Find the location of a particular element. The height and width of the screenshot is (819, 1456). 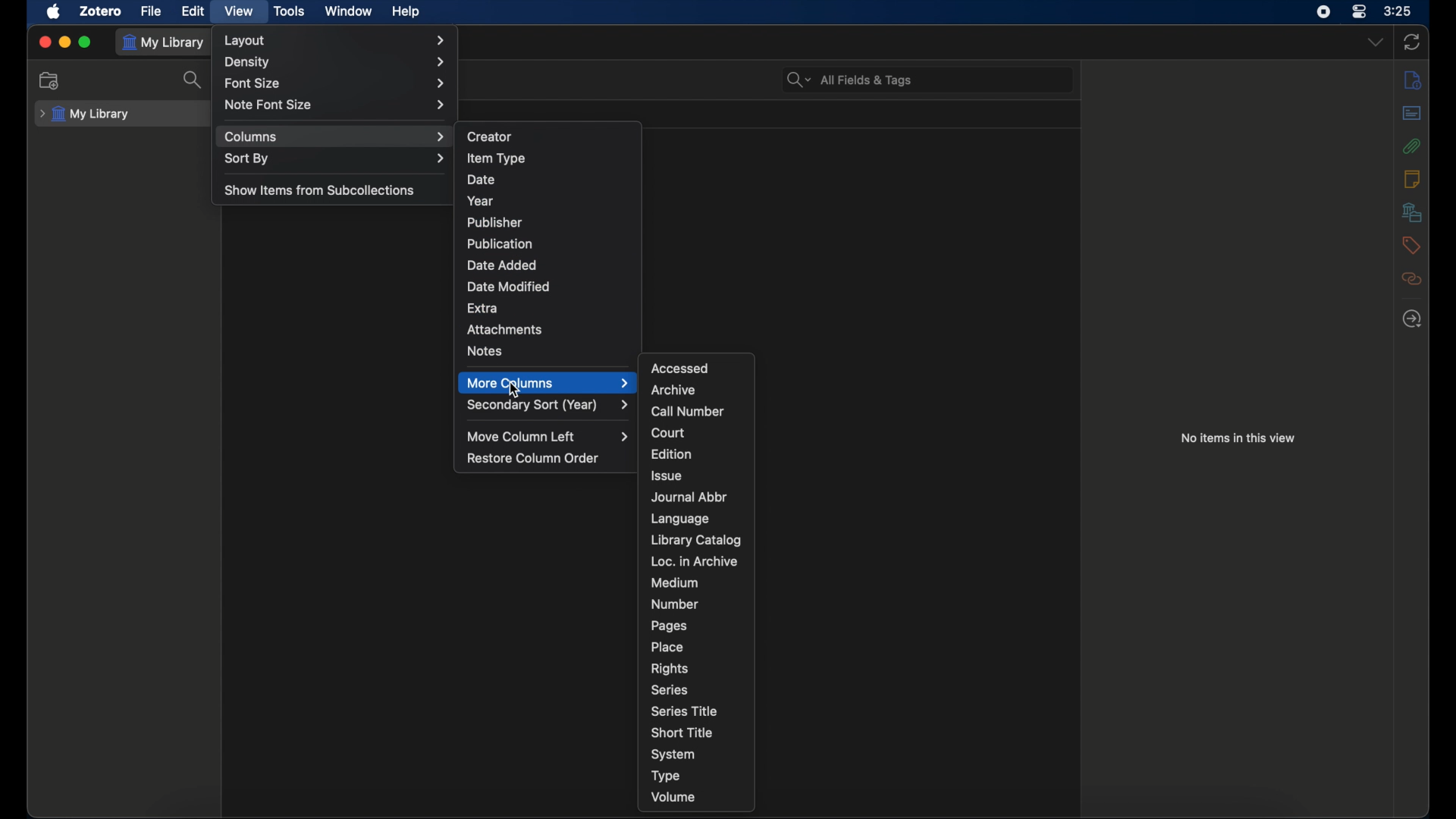

language is located at coordinates (681, 519).